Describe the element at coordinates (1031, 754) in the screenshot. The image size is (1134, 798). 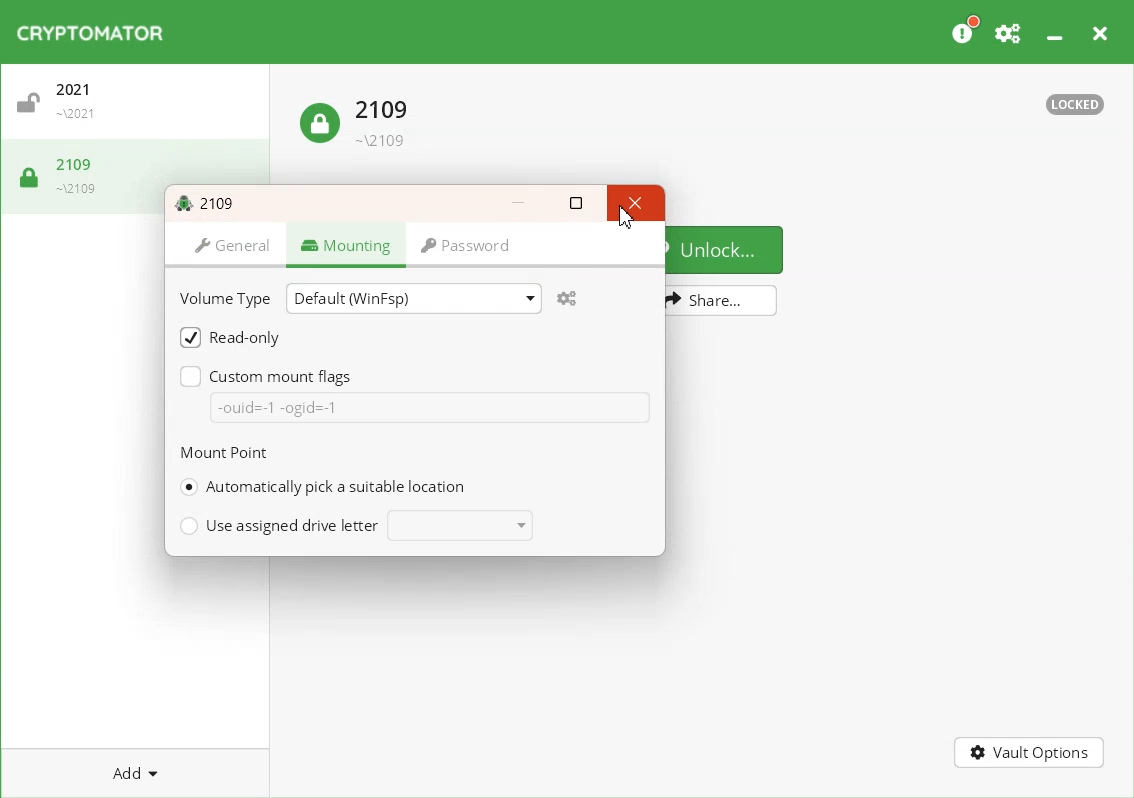
I see `Vault Options` at that location.